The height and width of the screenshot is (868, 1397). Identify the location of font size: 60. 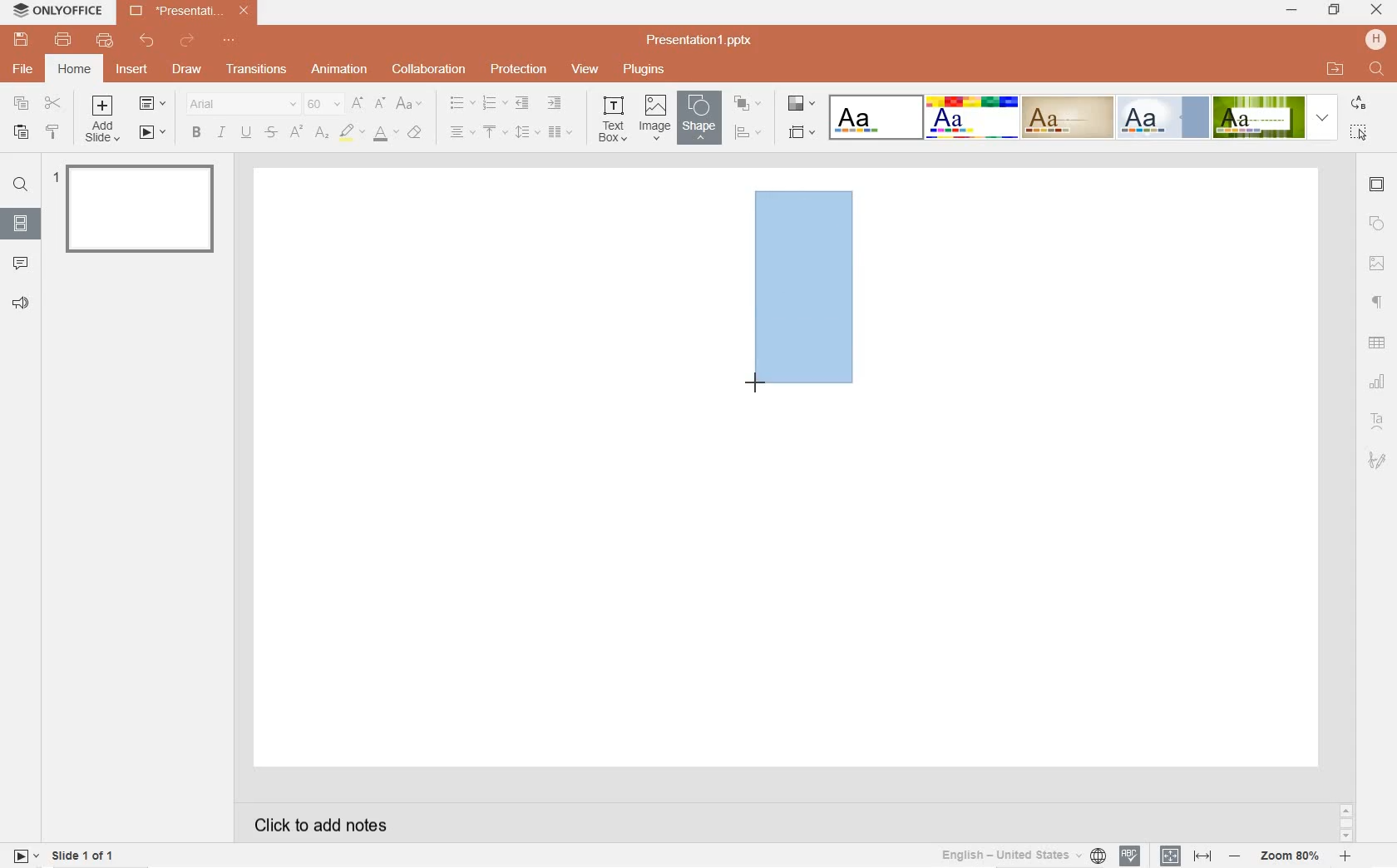
(322, 106).